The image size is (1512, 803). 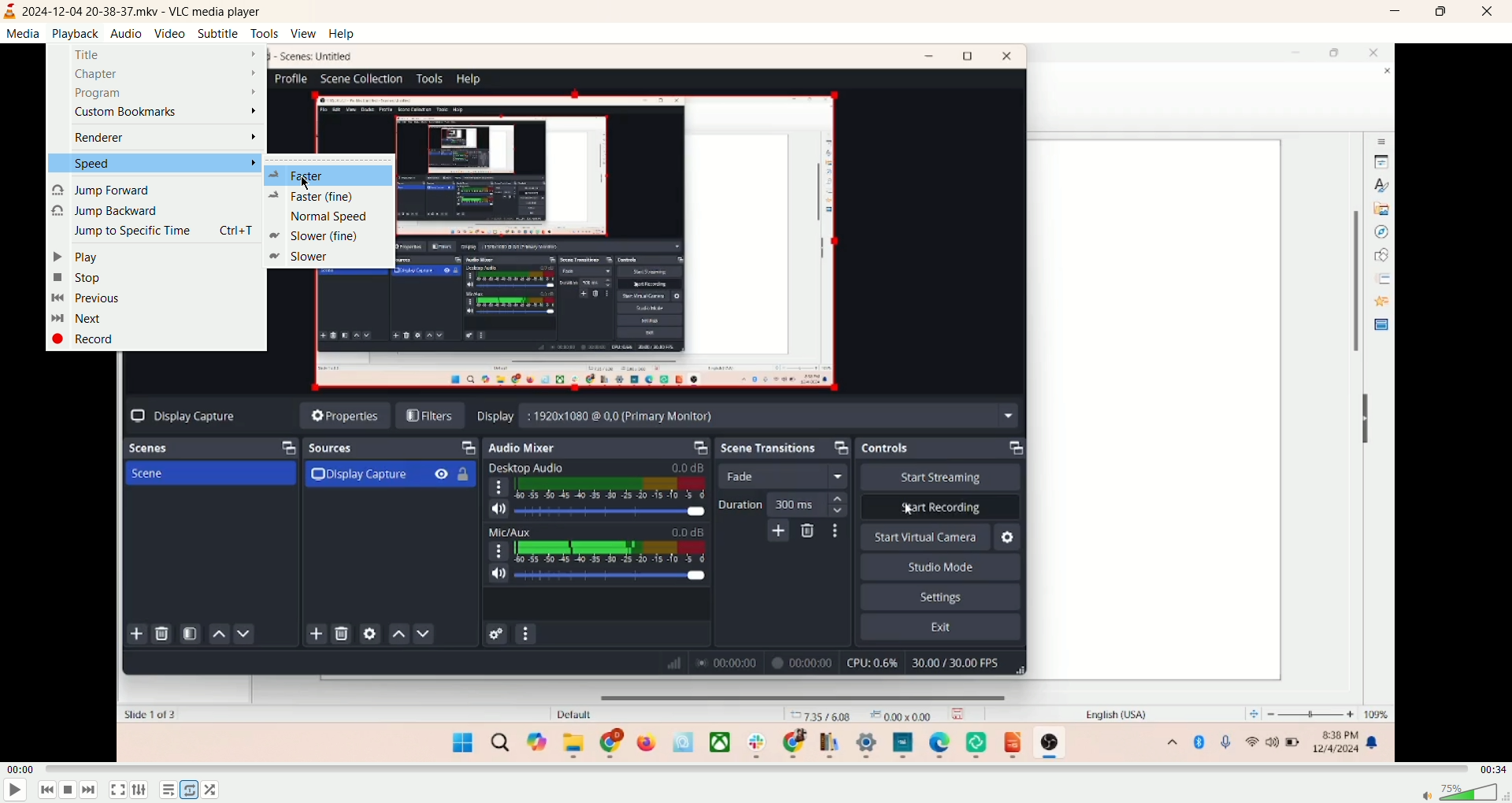 What do you see at coordinates (1393, 13) in the screenshot?
I see `minimize` at bounding box center [1393, 13].